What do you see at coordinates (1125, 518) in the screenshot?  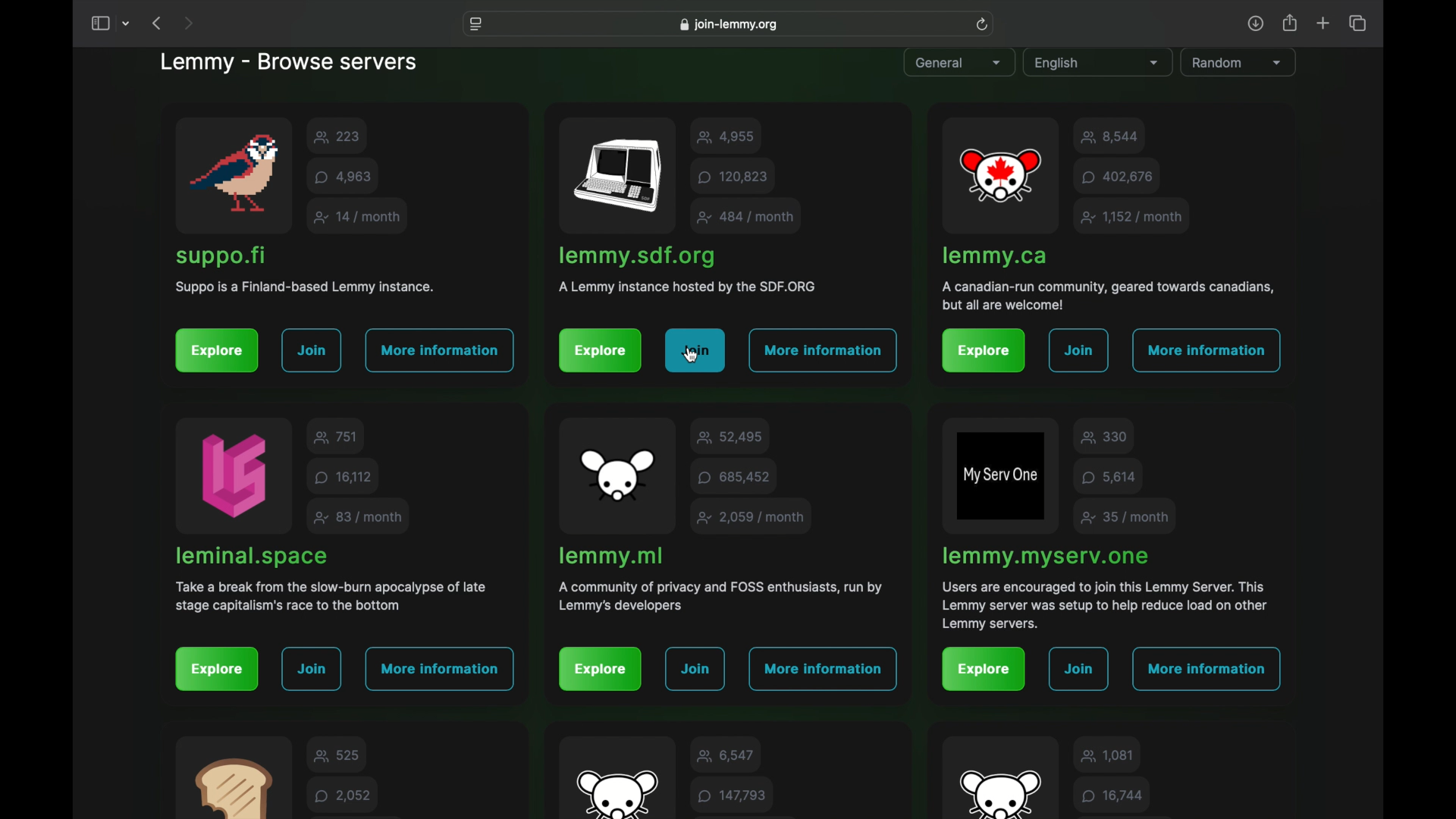 I see `stat` at bounding box center [1125, 518].